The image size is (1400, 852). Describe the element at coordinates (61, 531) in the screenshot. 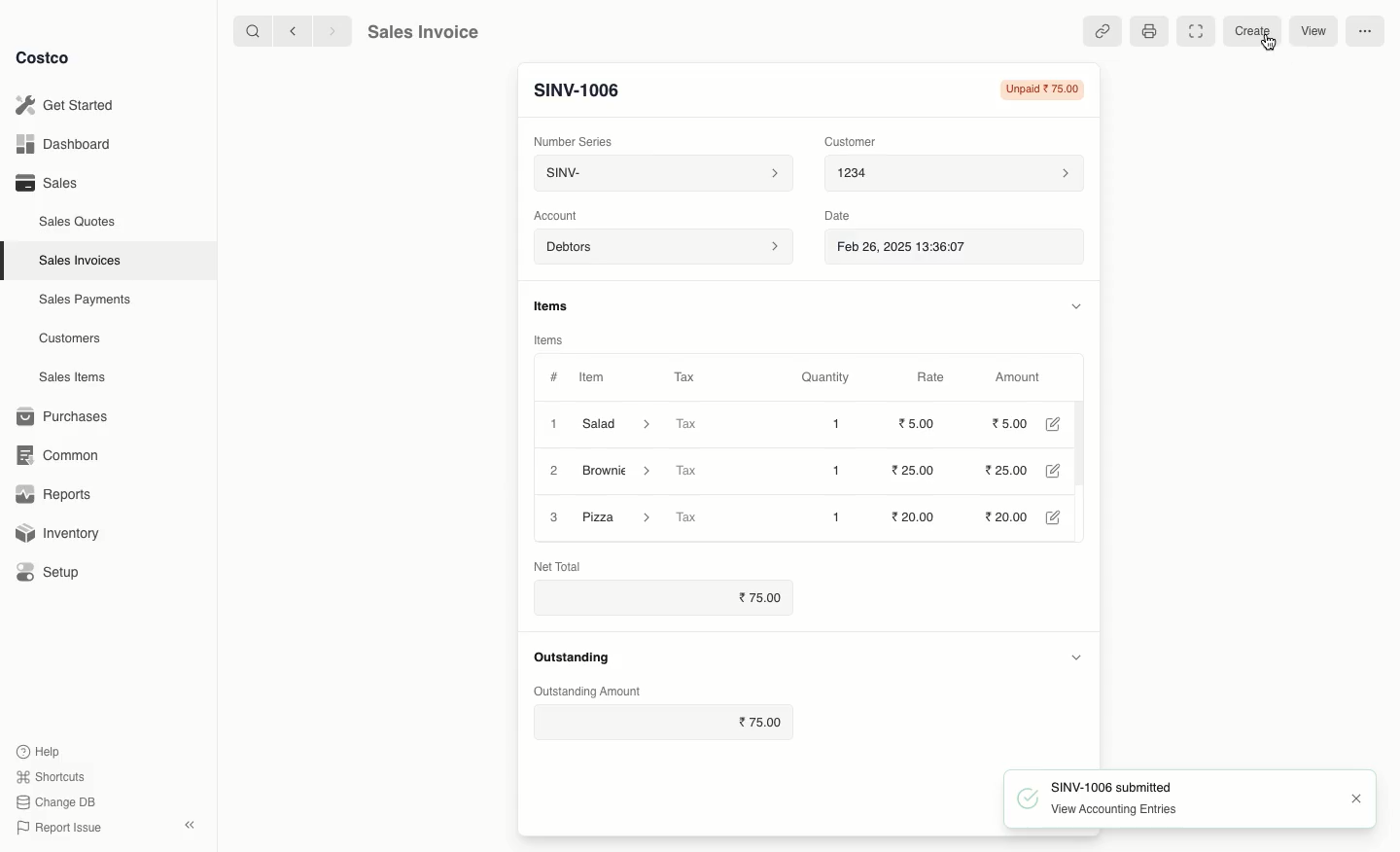

I see `Inventory` at that location.